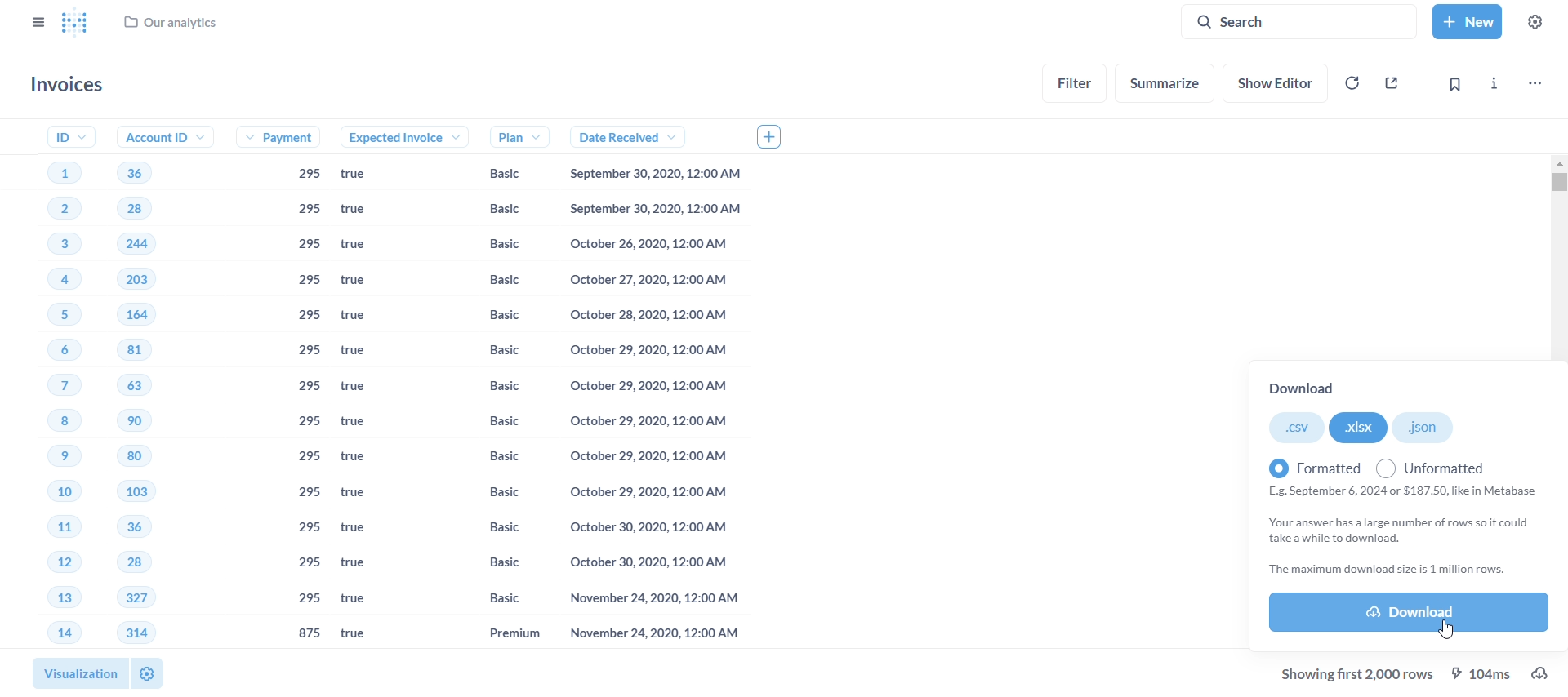 The width and height of the screenshot is (1568, 697). I want to click on 9, so click(48, 457).